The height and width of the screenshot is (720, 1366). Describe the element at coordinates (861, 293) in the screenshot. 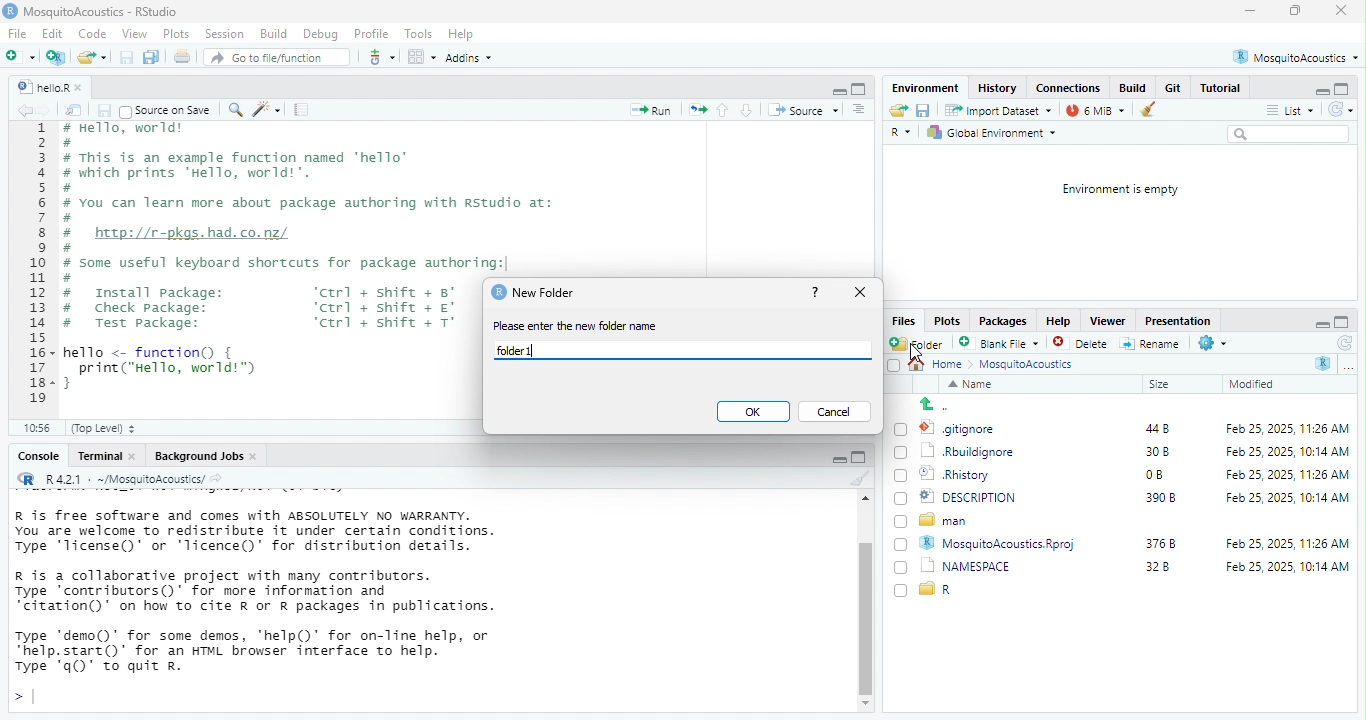

I see `close` at that location.